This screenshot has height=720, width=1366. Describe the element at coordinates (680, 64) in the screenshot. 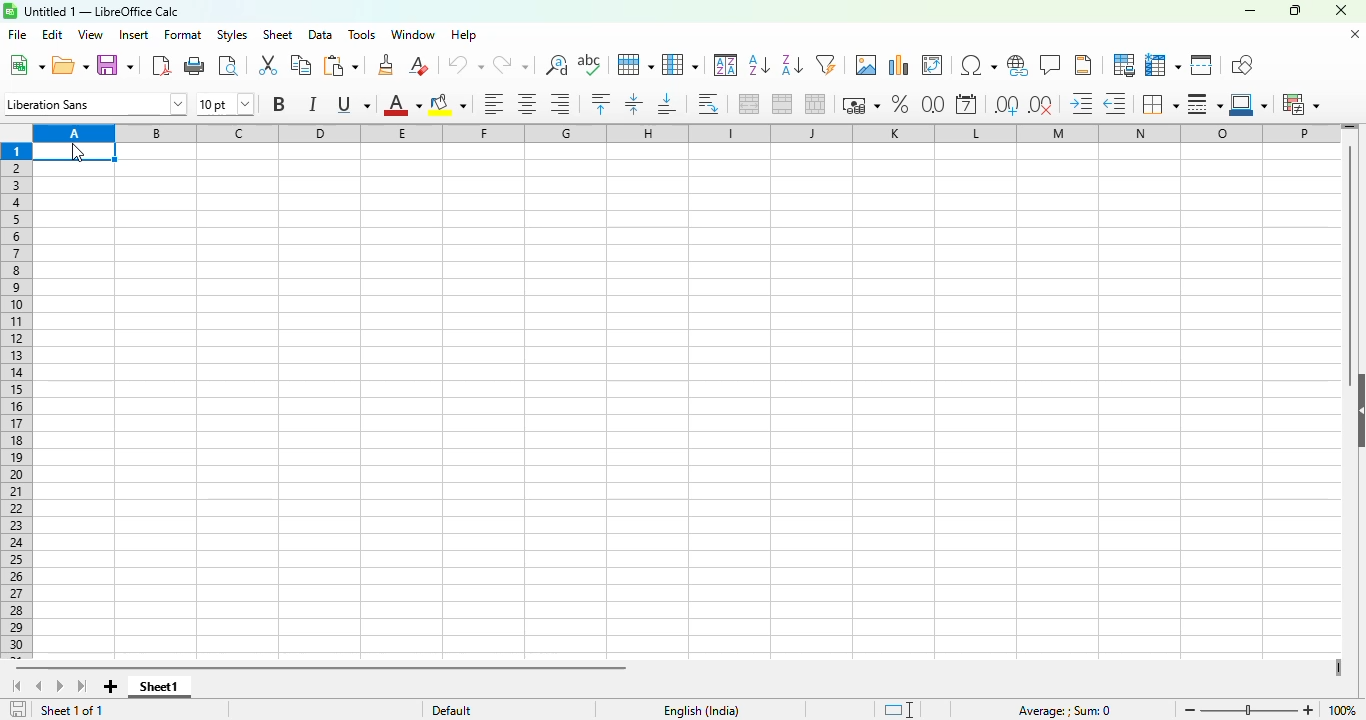

I see `column` at that location.